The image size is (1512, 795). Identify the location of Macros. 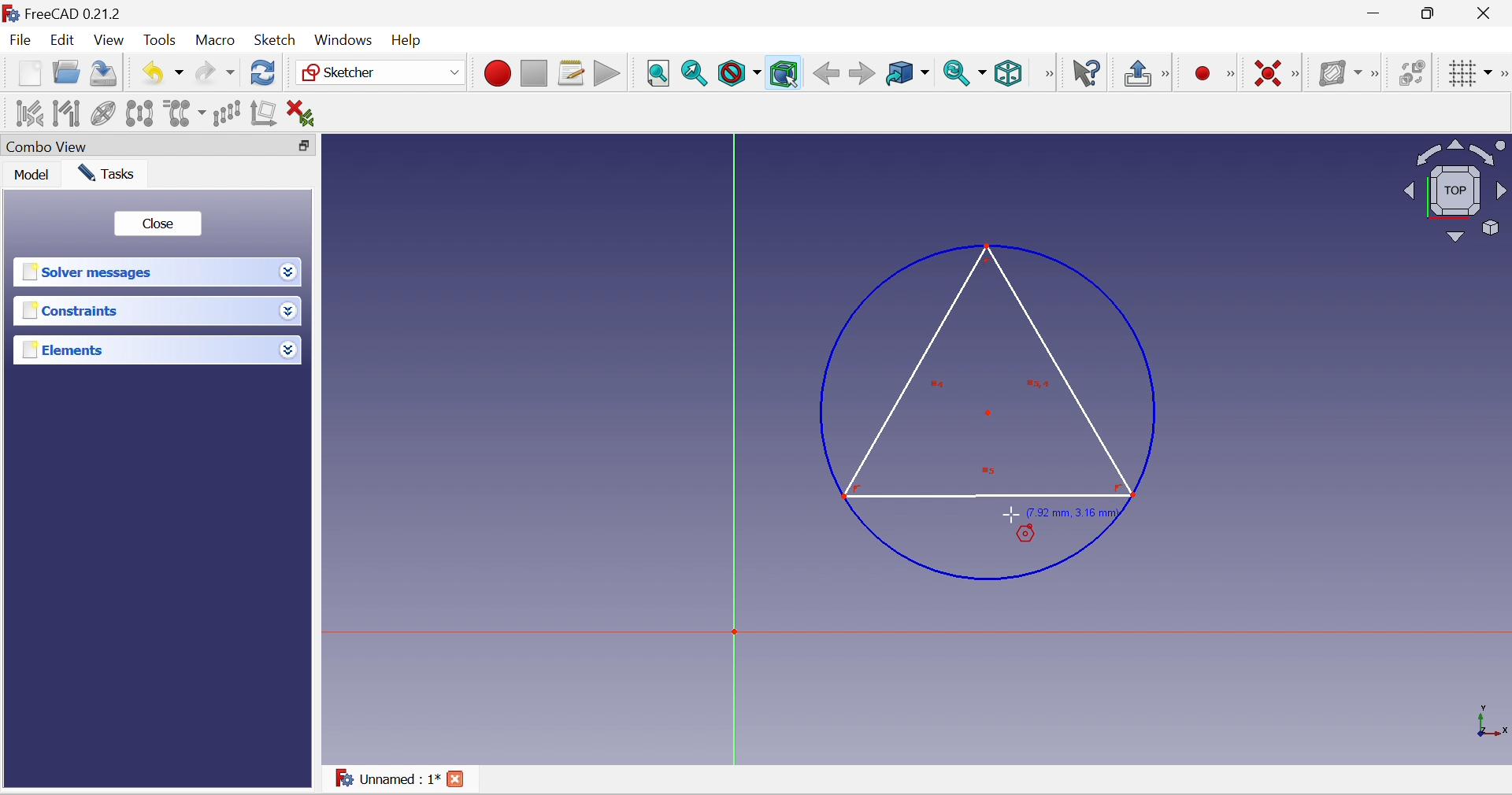
(572, 74).